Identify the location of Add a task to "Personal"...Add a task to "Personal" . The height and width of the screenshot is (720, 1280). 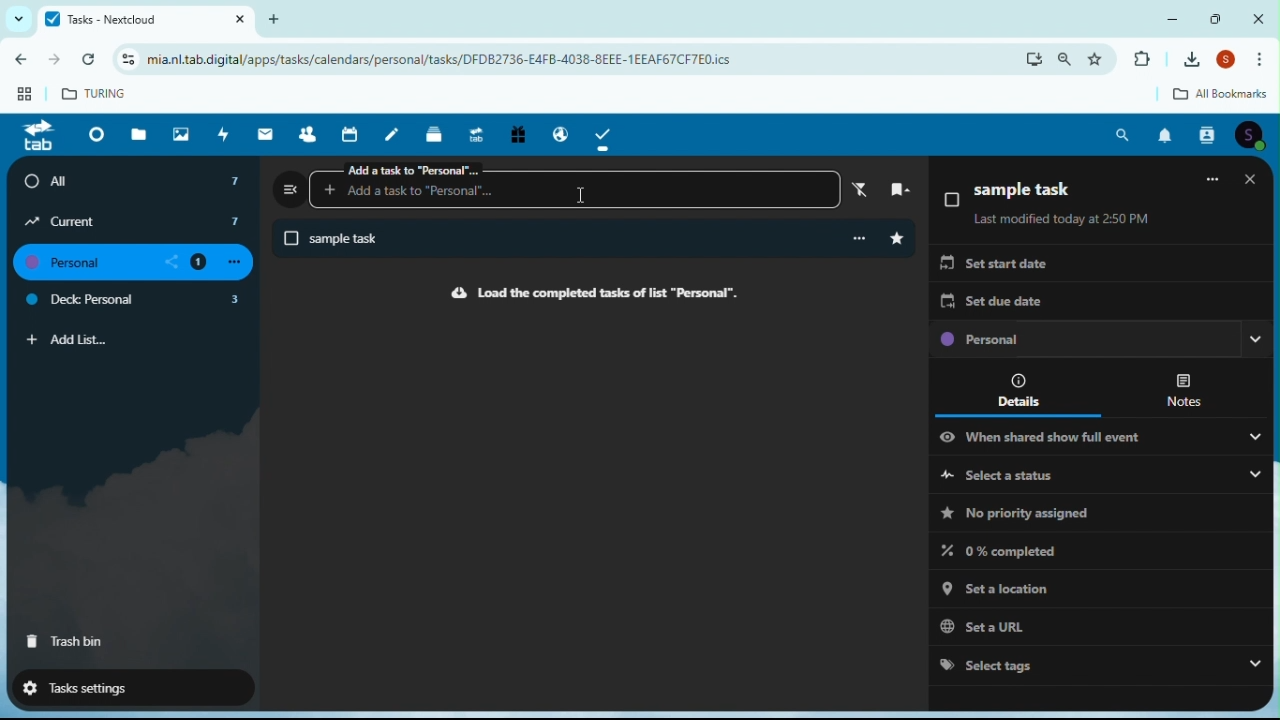
(574, 184).